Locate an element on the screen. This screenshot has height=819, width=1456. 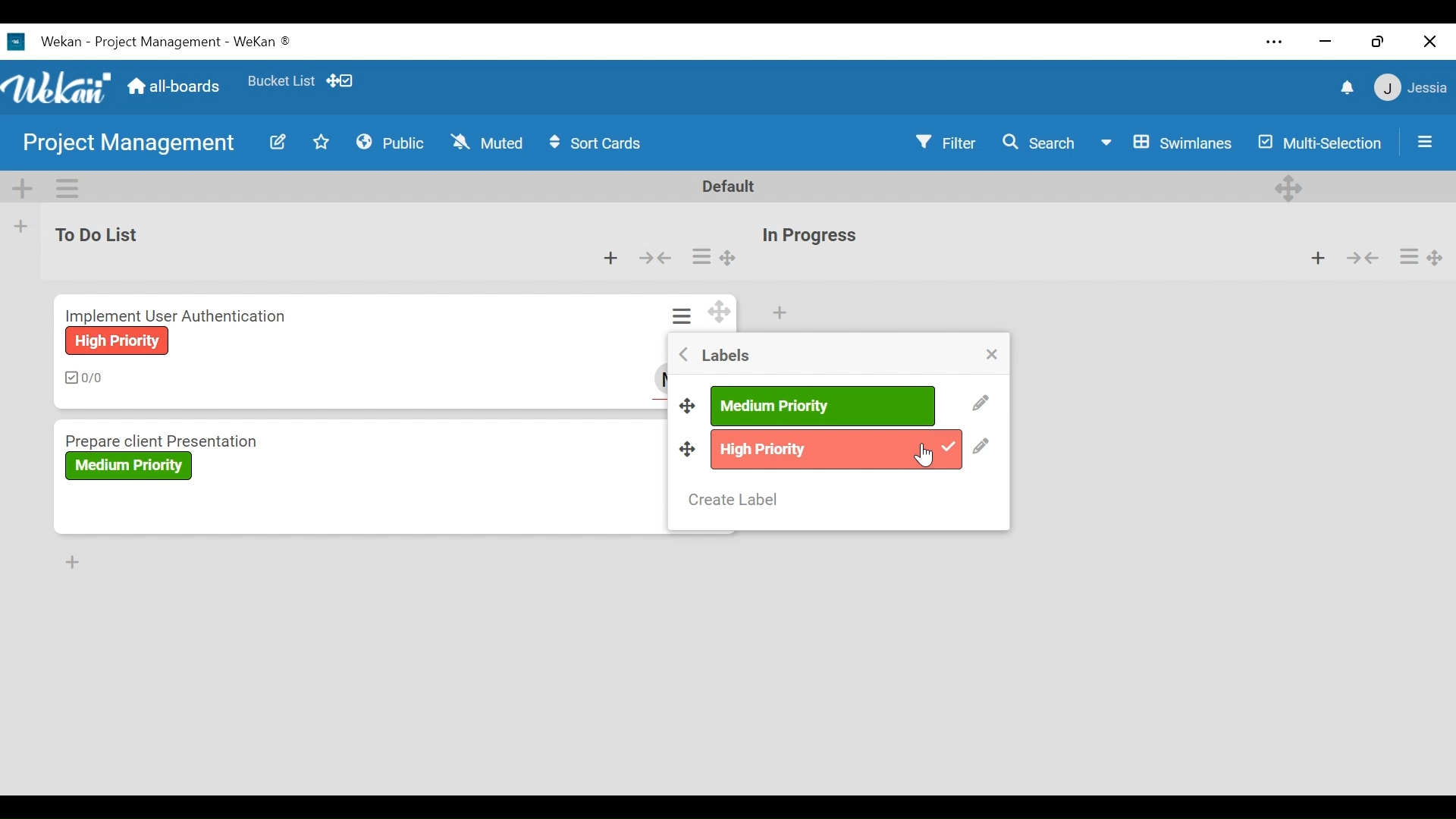
settings and more is located at coordinates (1277, 43).